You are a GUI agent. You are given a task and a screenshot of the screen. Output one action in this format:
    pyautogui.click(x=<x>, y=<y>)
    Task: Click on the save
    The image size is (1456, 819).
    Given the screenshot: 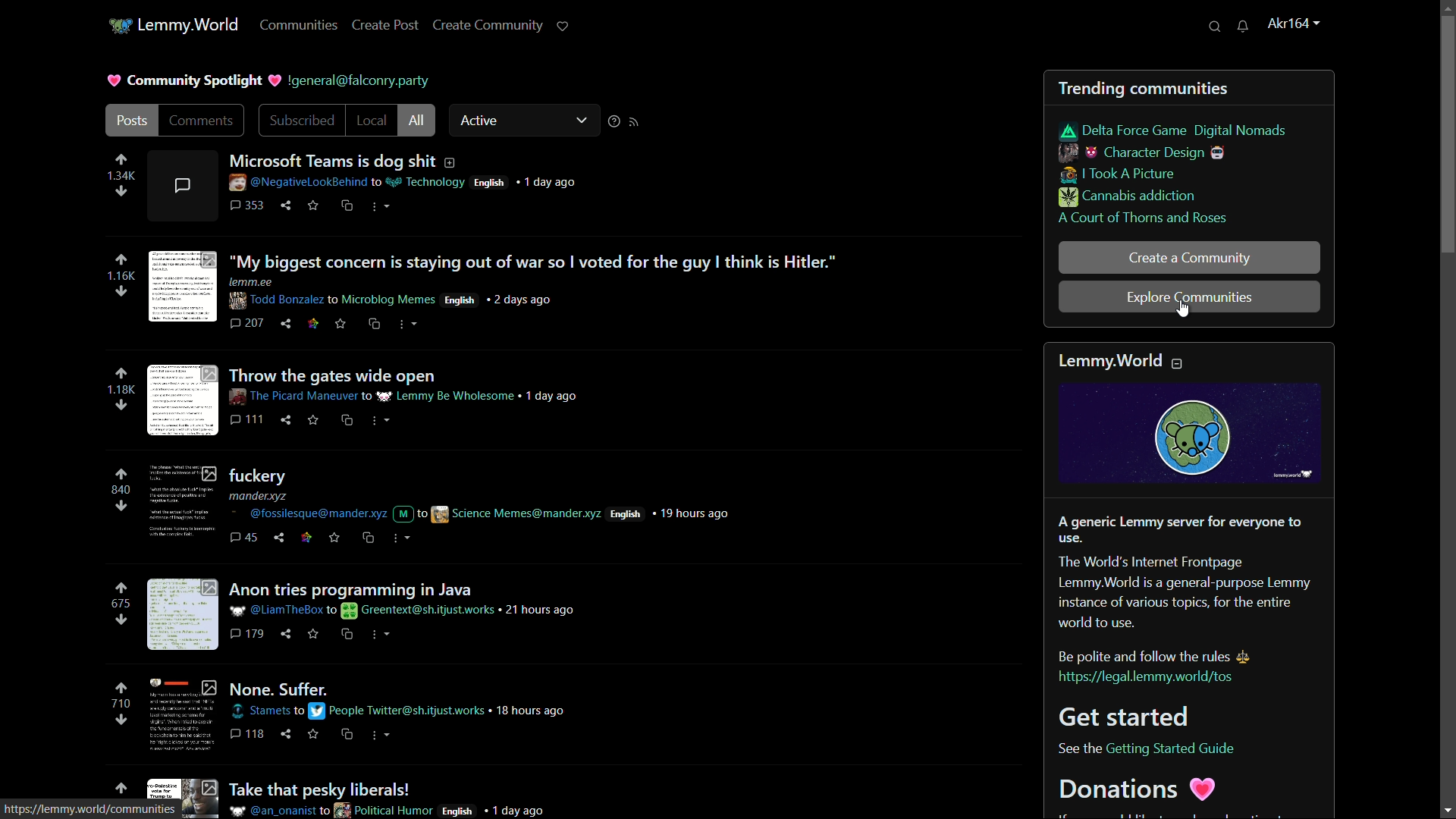 What is the action you would take?
    pyautogui.click(x=313, y=419)
    